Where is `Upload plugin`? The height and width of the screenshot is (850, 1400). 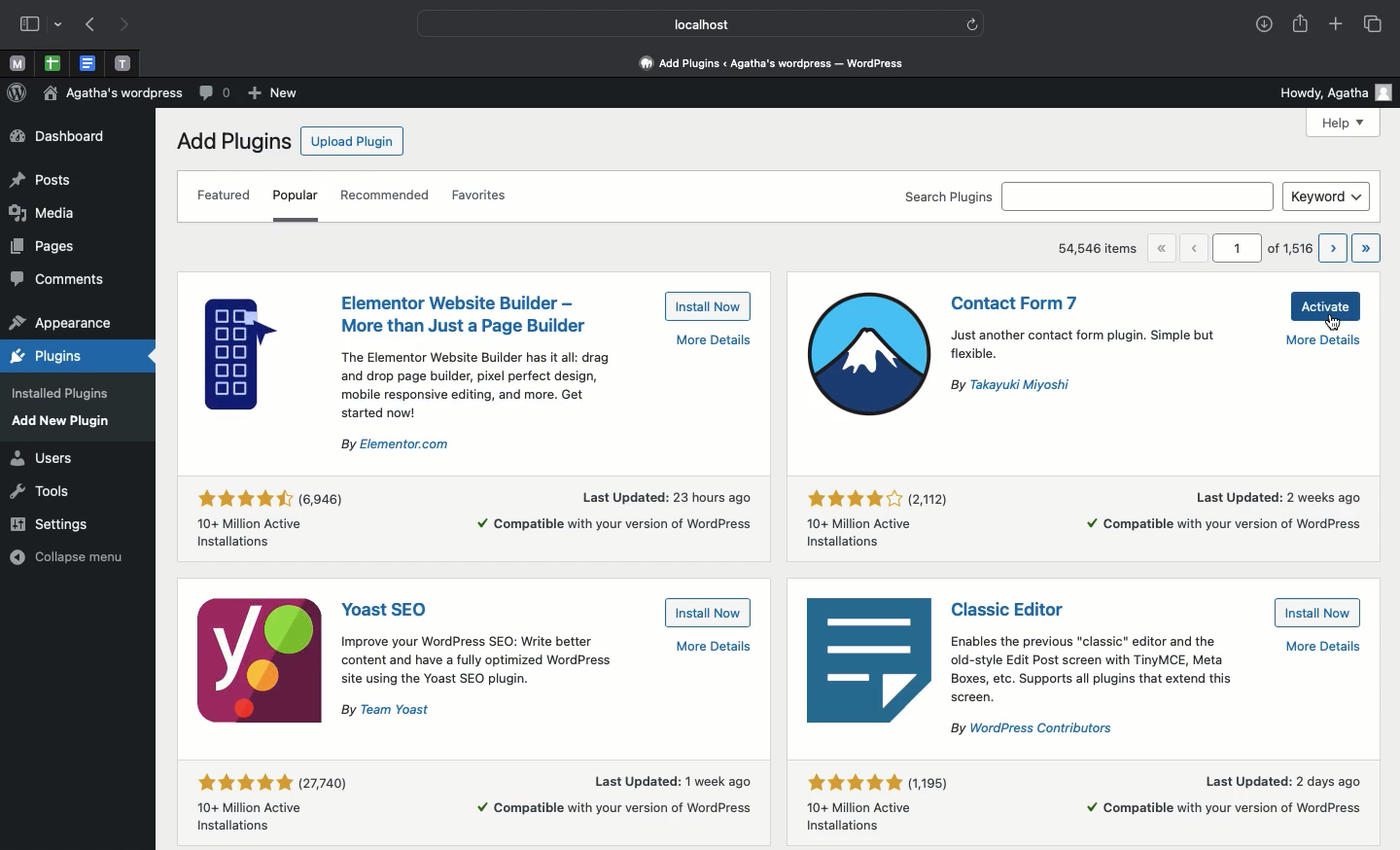
Upload plugin is located at coordinates (352, 142).